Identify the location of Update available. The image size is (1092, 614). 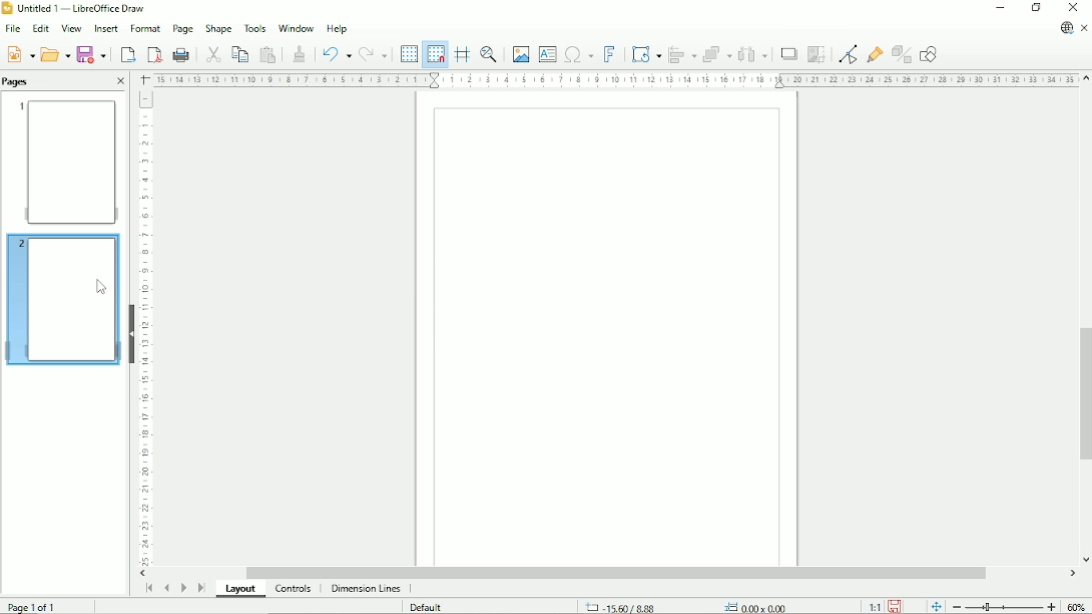
(1066, 28).